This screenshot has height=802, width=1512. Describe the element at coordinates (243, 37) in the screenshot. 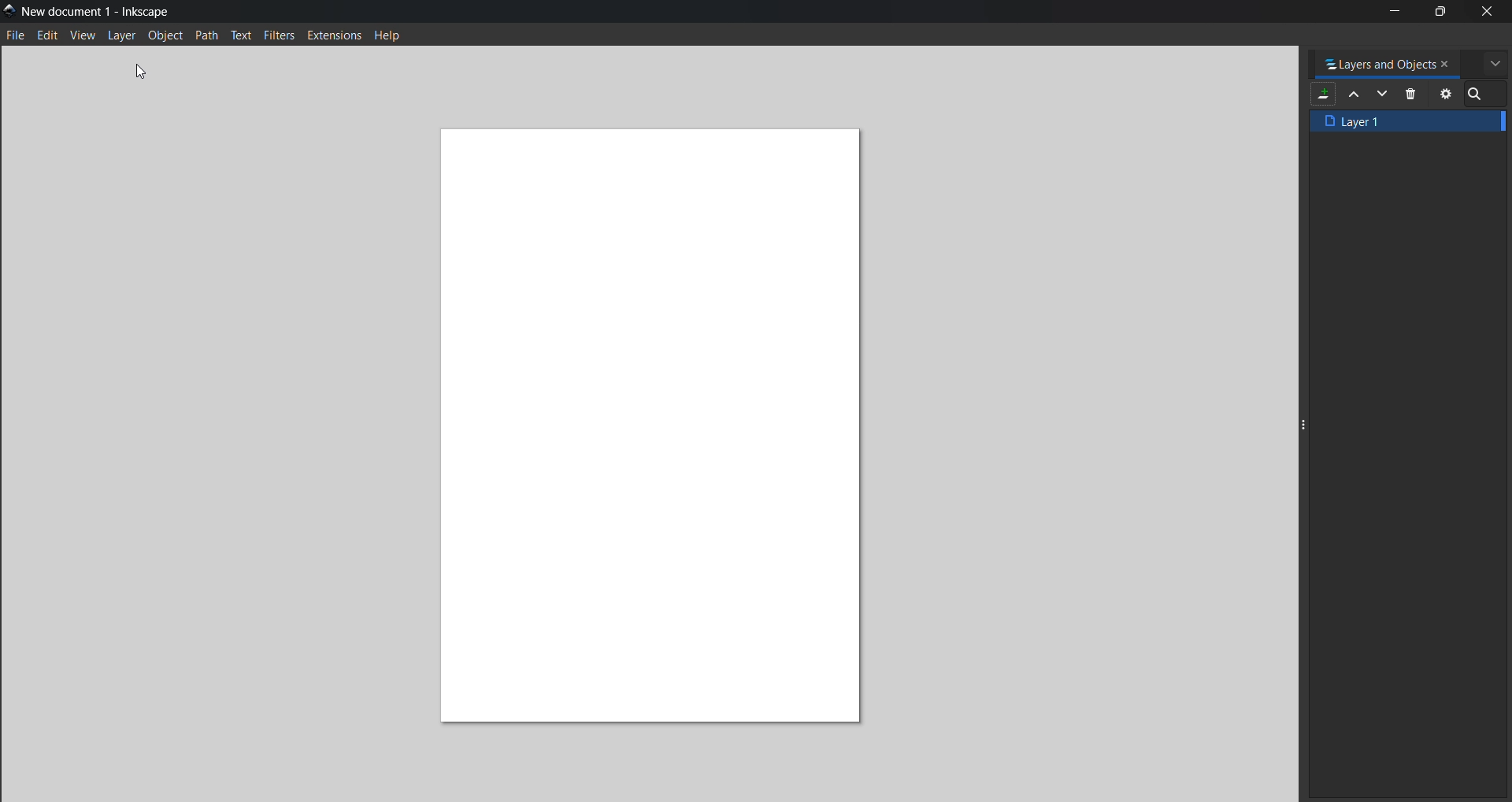

I see `text` at that location.